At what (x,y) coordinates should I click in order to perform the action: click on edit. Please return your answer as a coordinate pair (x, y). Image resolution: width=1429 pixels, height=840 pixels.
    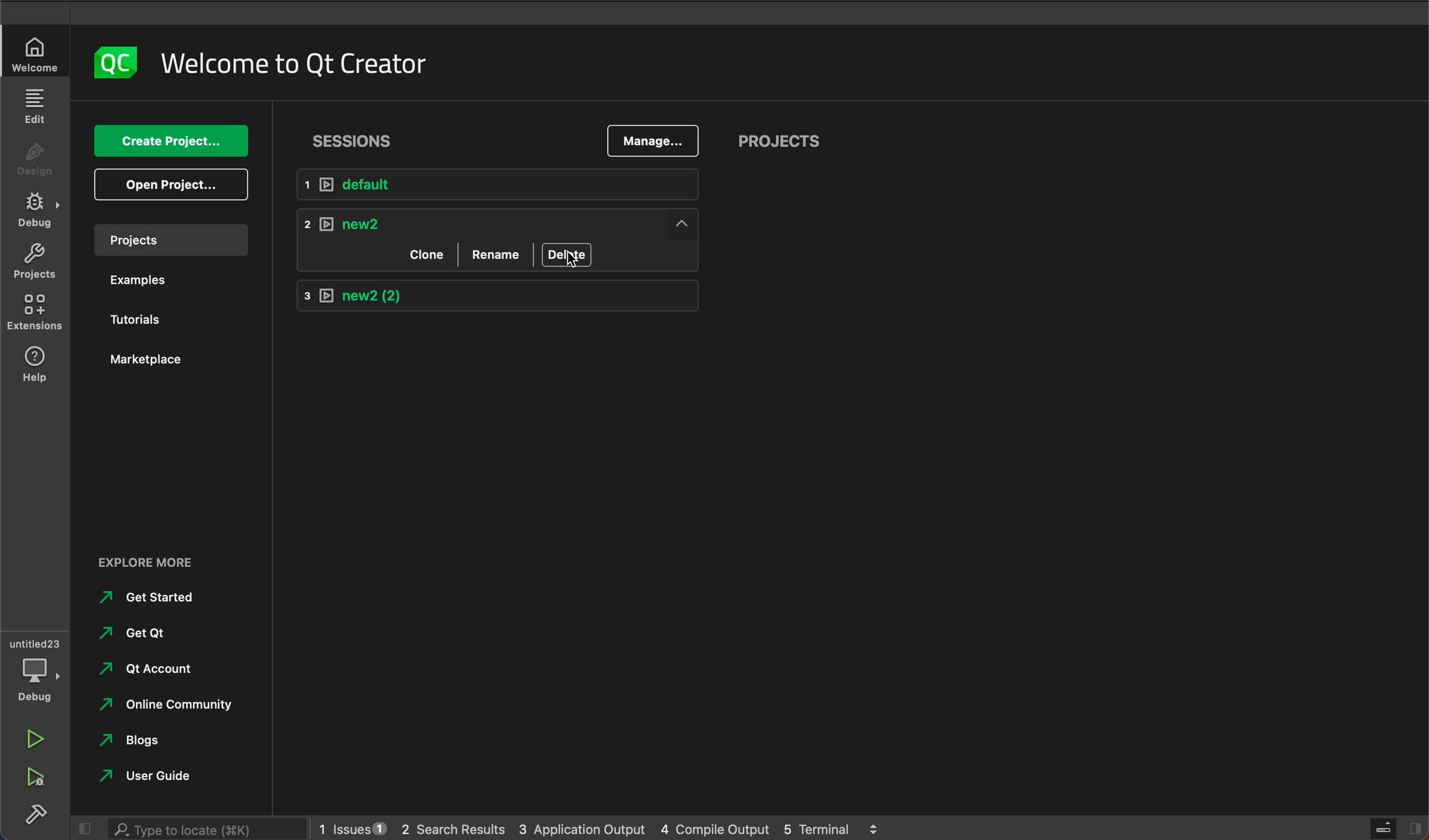
    Looking at the image, I should click on (38, 105).